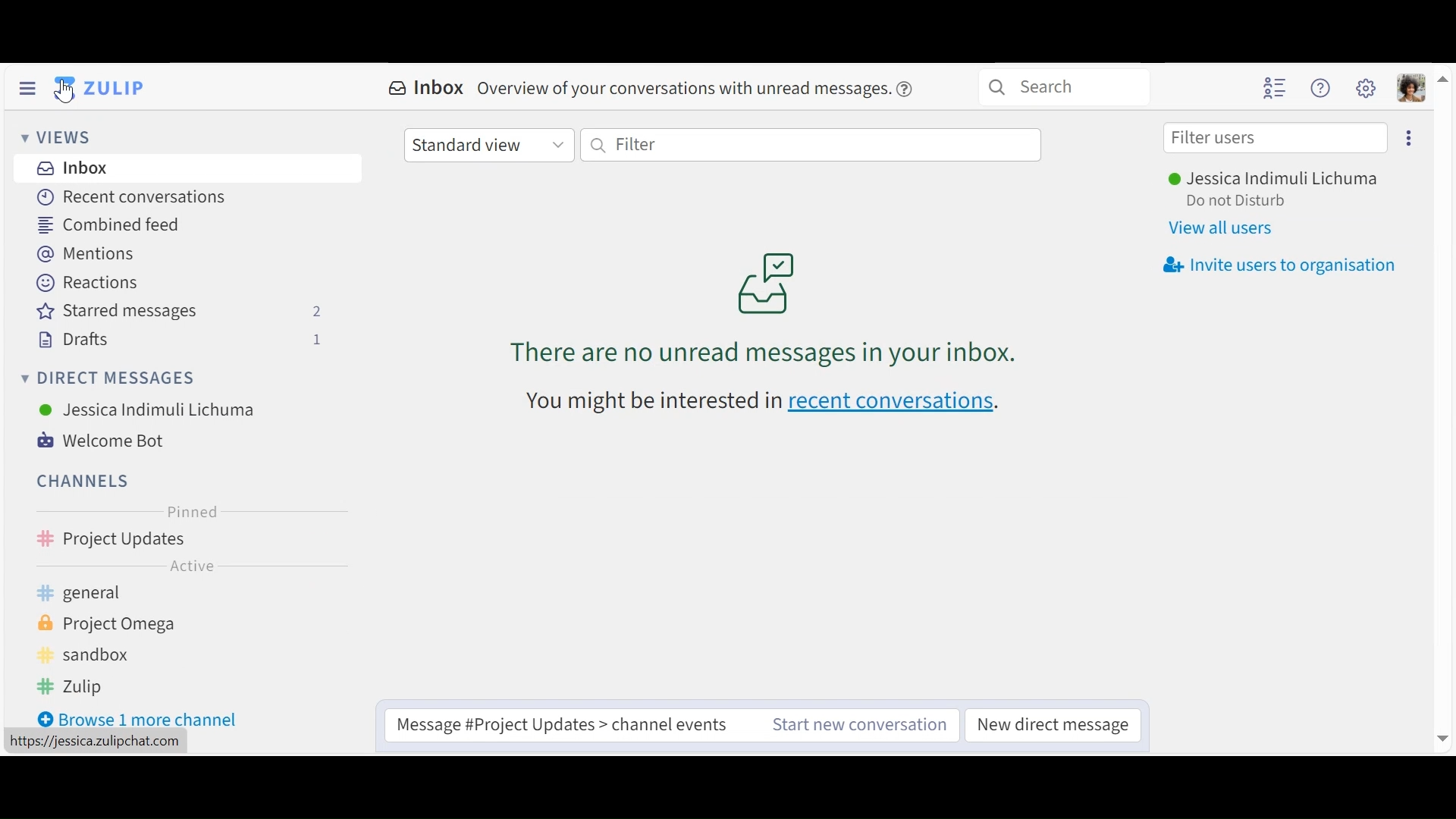  What do you see at coordinates (142, 717) in the screenshot?
I see `Browse 1 more channel` at bounding box center [142, 717].